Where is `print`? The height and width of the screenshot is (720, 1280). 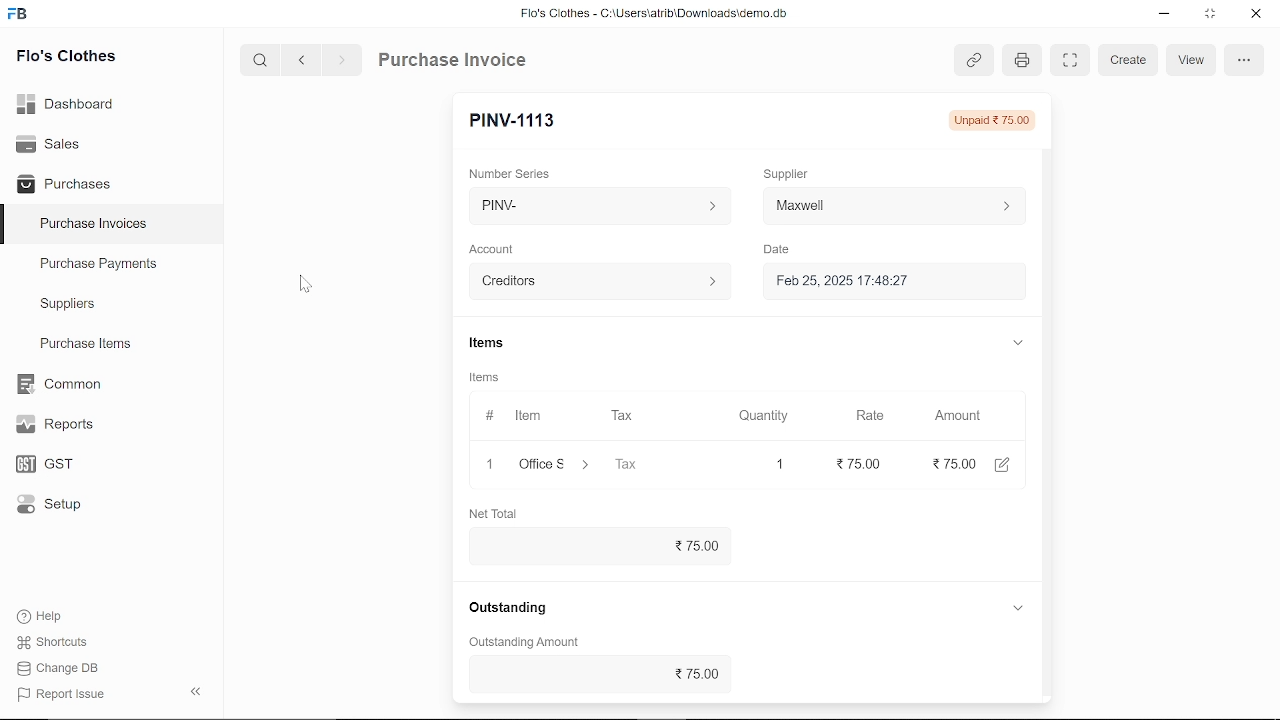
print is located at coordinates (1019, 59).